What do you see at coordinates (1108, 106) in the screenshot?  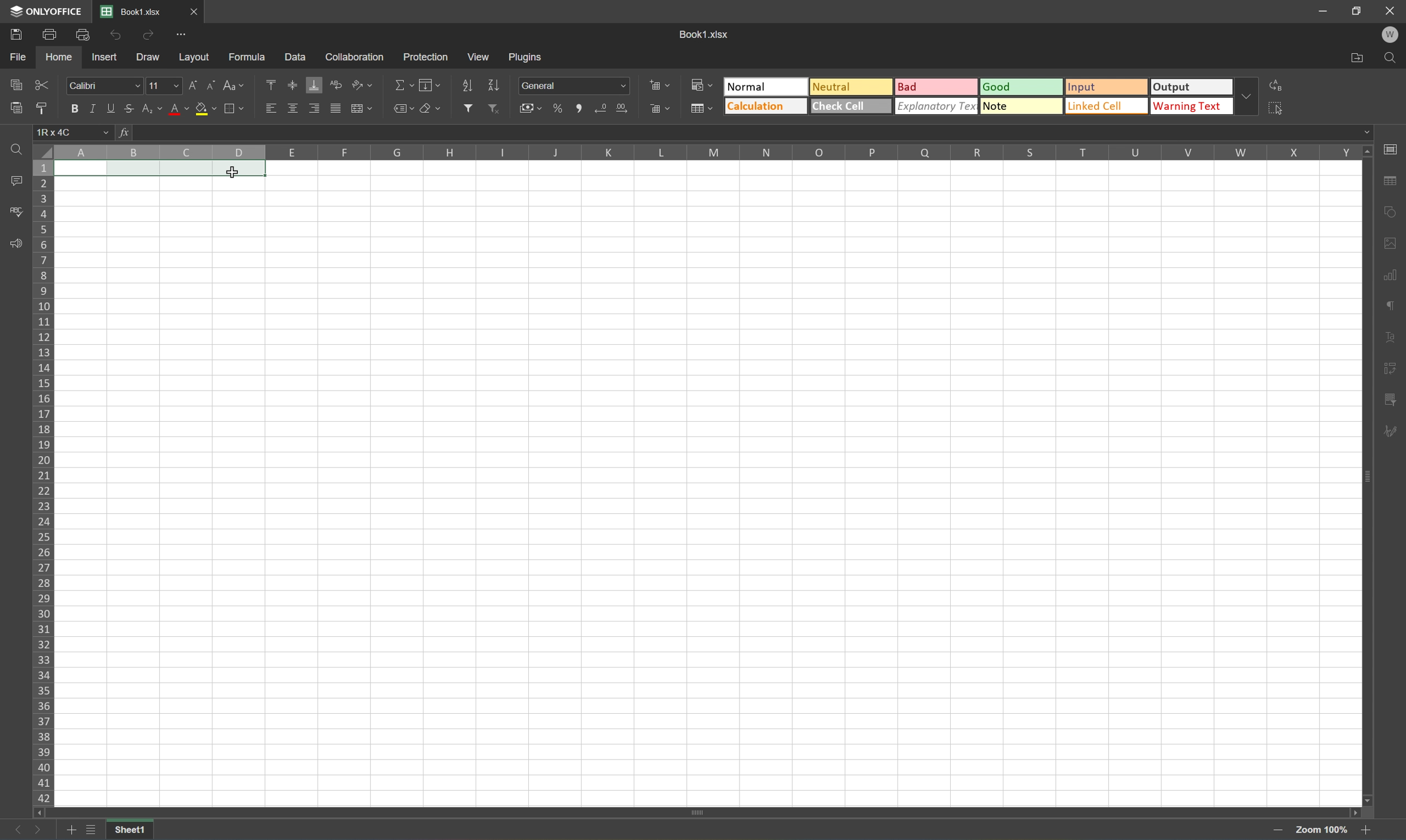 I see `Linked cell` at bounding box center [1108, 106].